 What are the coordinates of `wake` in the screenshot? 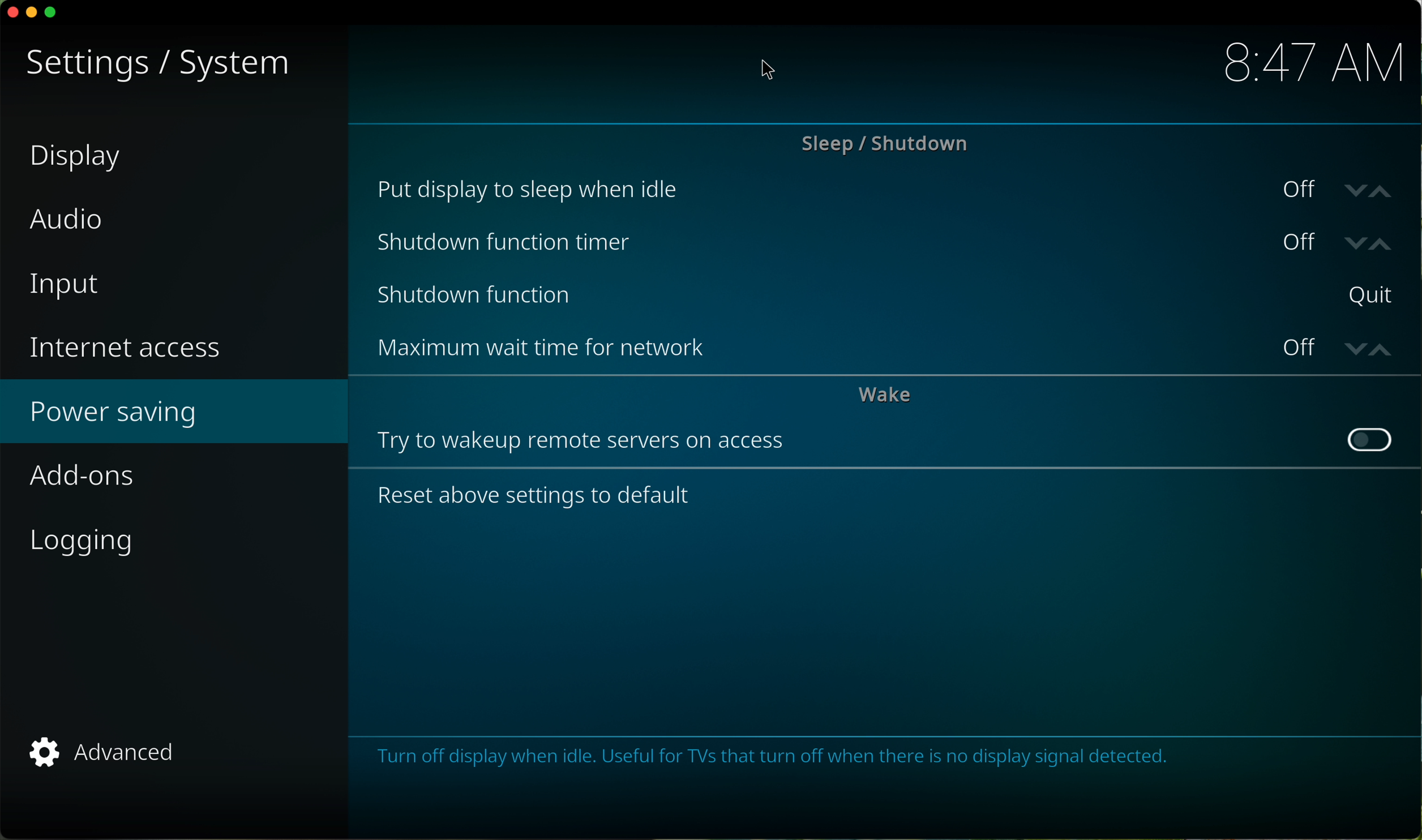 It's located at (883, 398).